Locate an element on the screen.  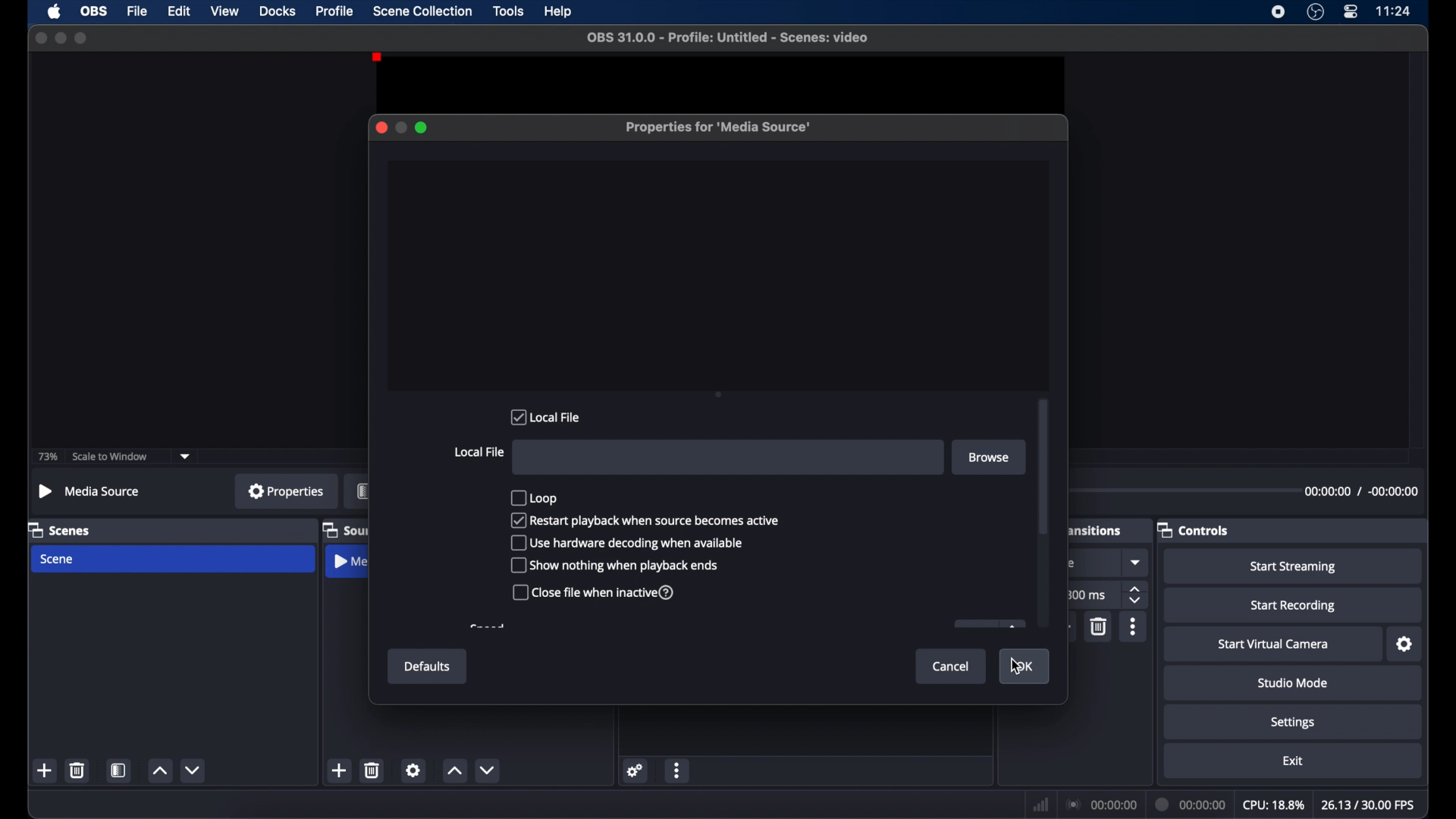
settings is located at coordinates (1294, 723).